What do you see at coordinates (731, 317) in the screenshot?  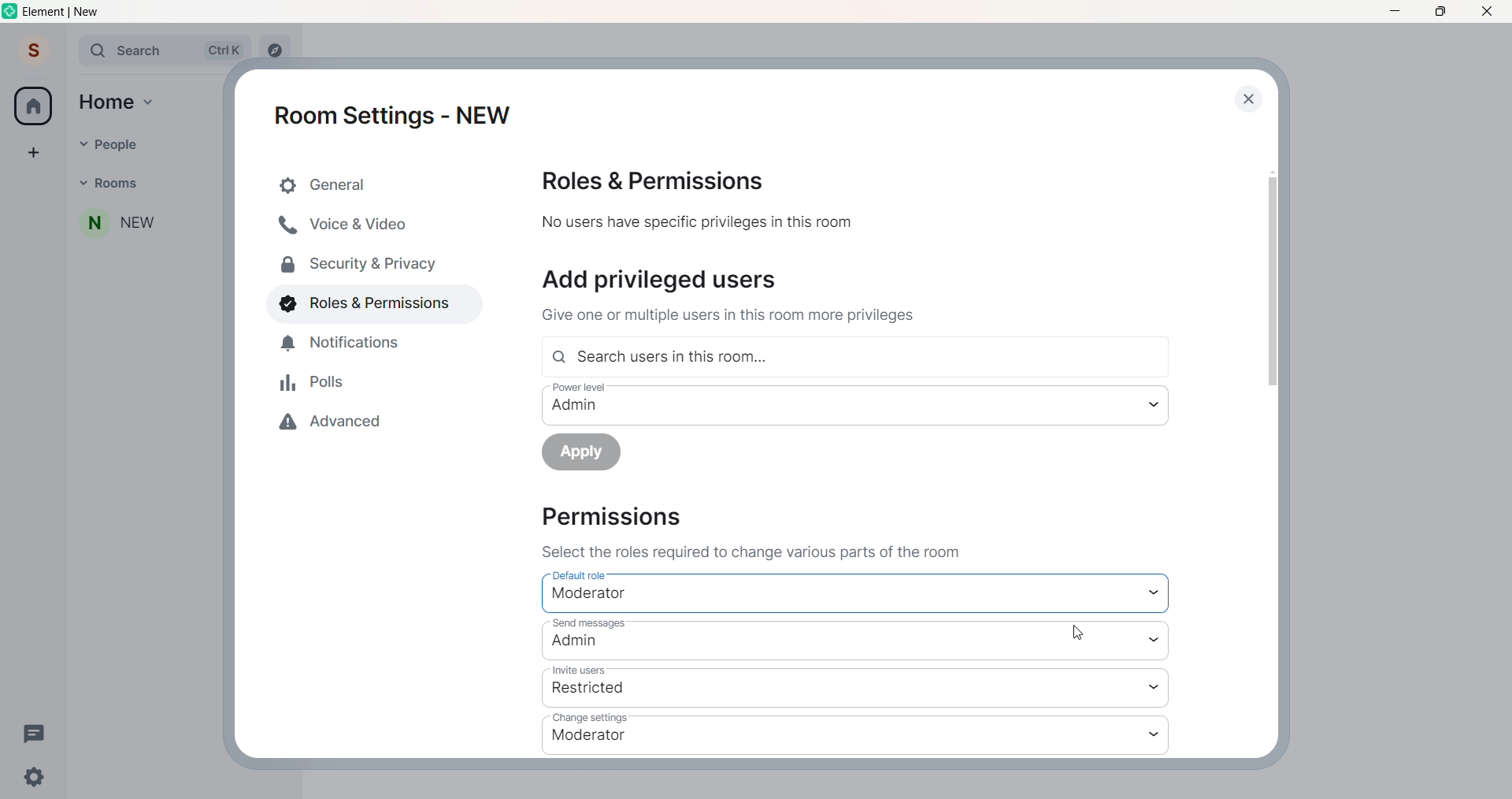 I see `text` at bounding box center [731, 317].